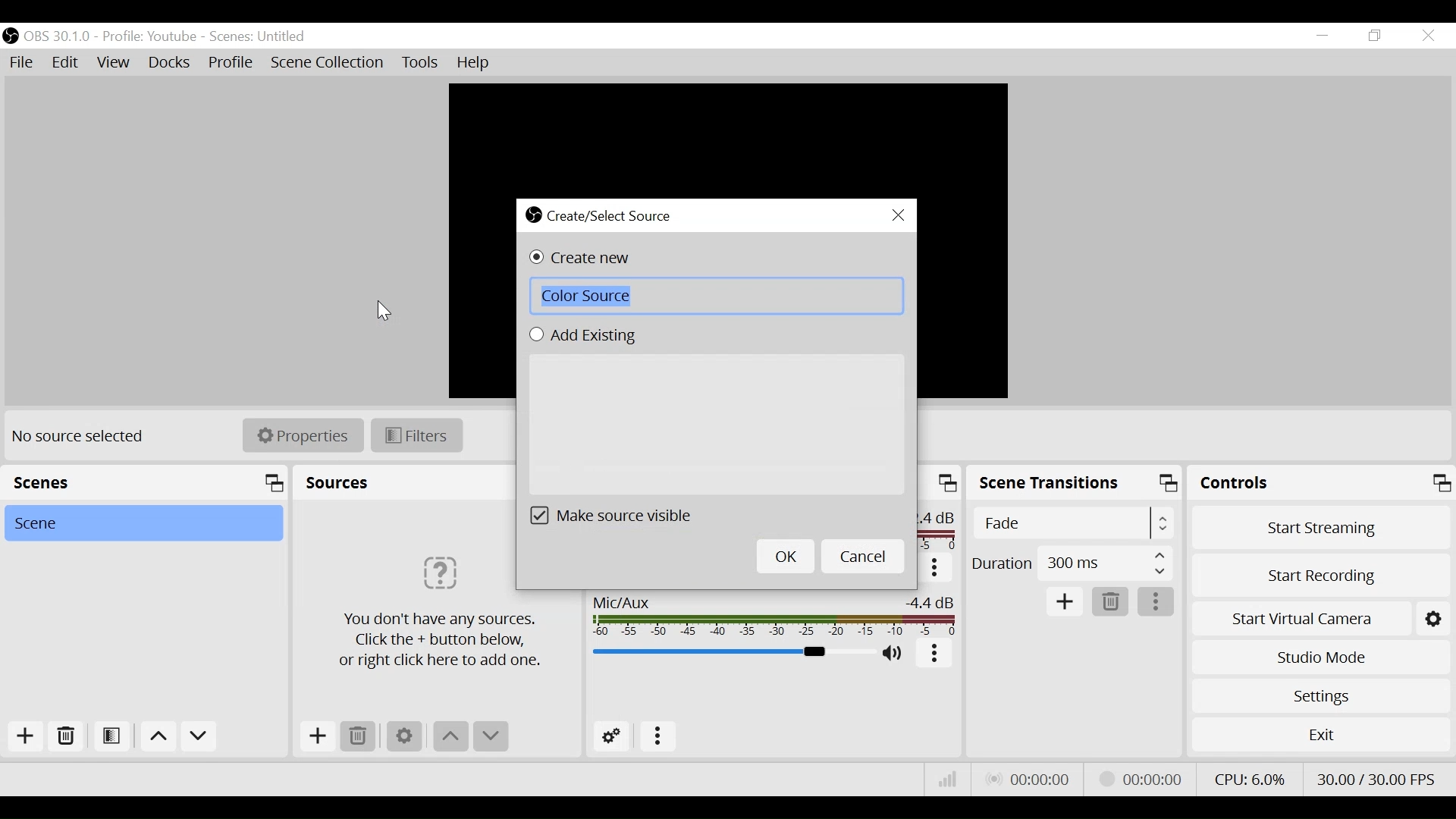  I want to click on more options, so click(1157, 604).